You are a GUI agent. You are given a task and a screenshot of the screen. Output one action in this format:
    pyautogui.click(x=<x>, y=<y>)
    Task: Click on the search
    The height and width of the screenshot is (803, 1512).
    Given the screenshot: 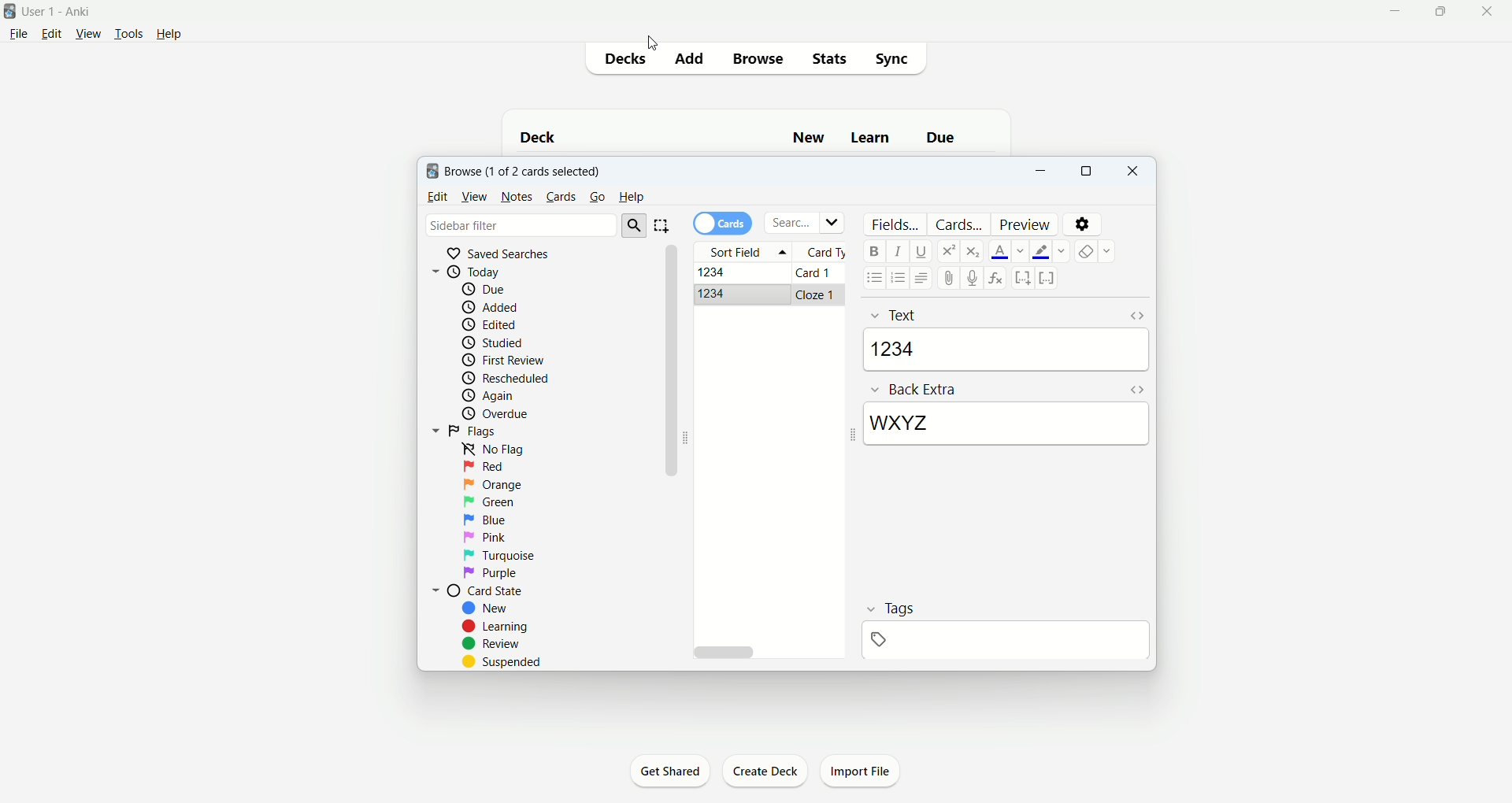 What is the action you would take?
    pyautogui.click(x=791, y=222)
    